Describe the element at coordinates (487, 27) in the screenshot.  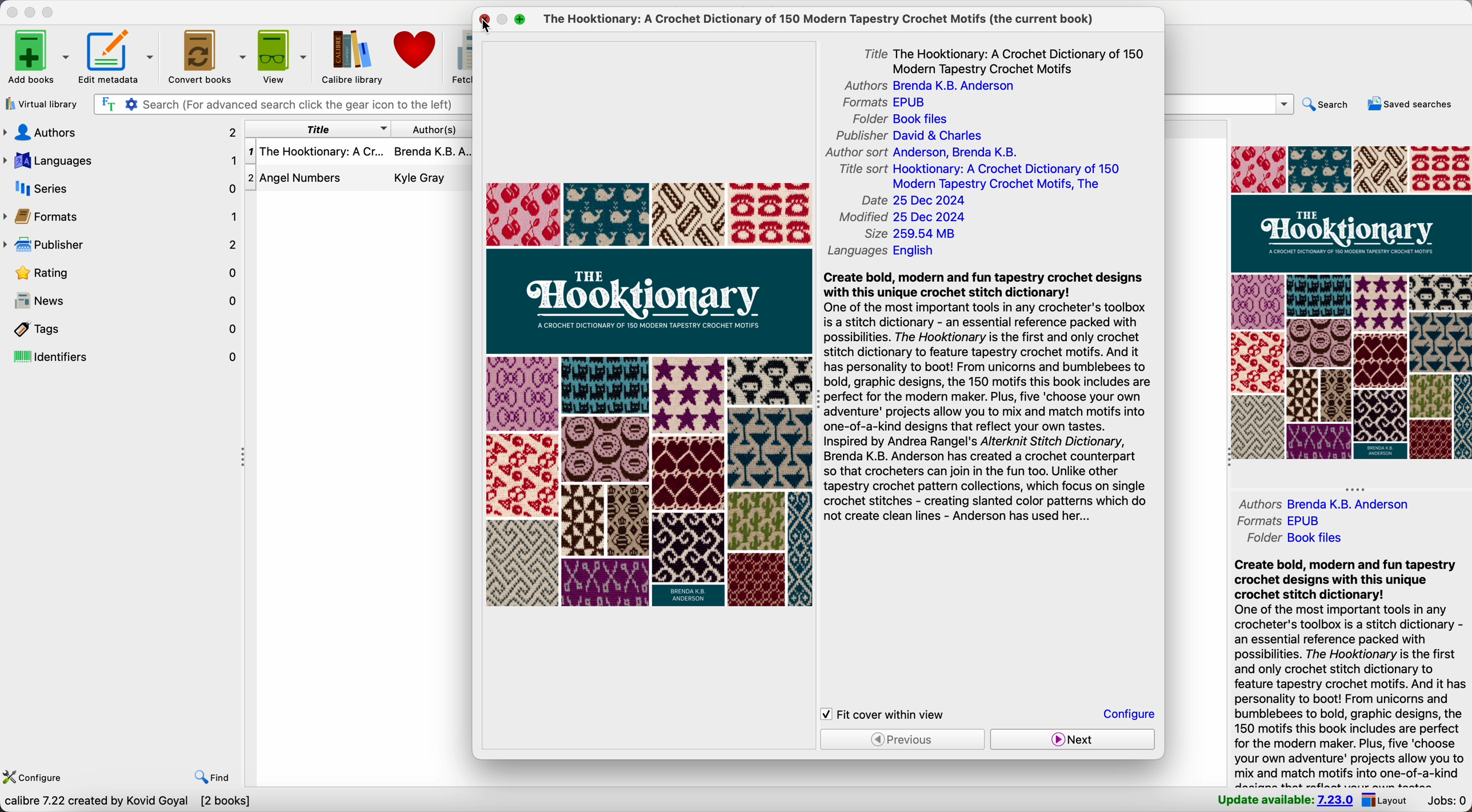
I see `cursor` at that location.